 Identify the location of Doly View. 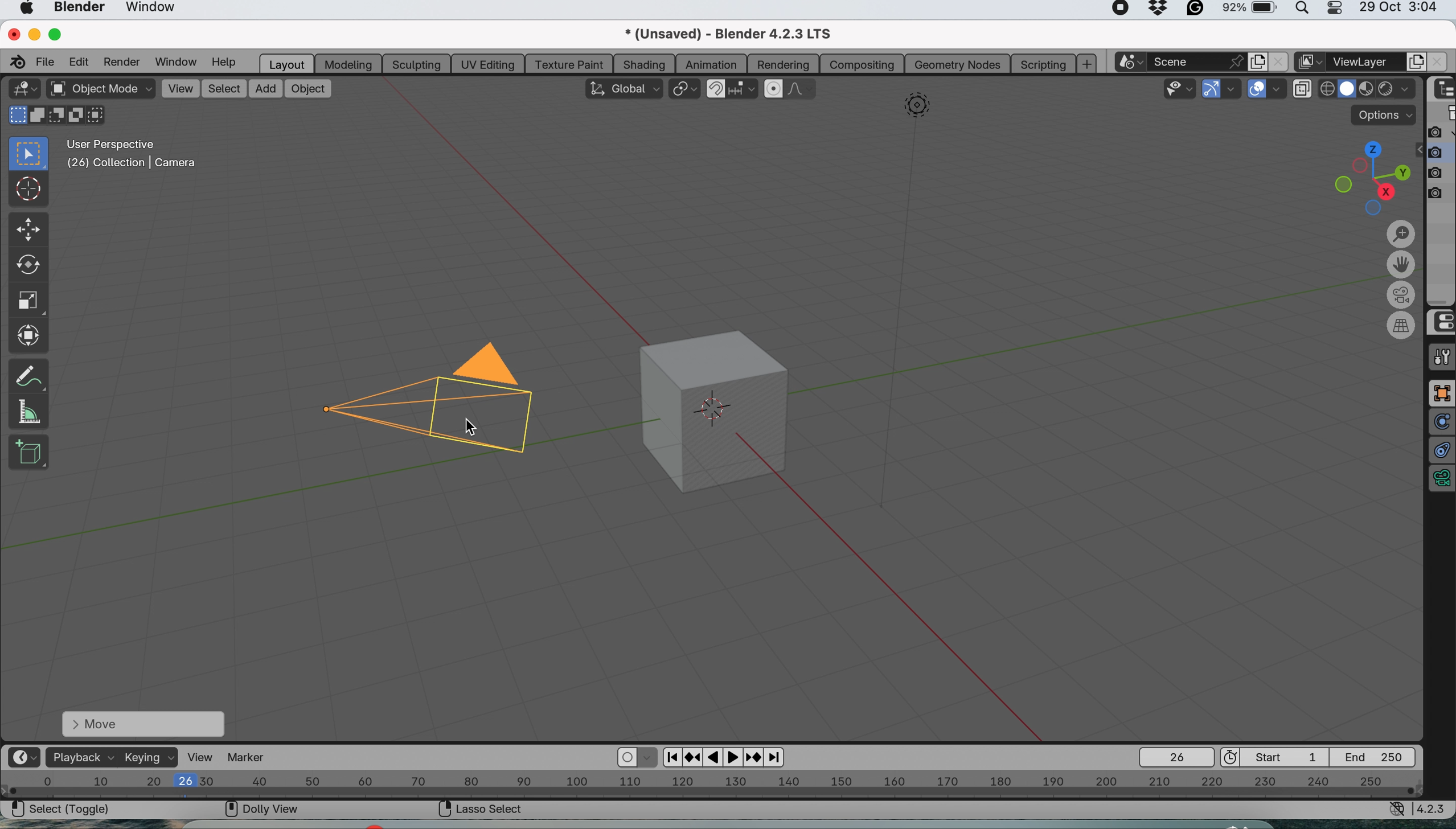
(265, 811).